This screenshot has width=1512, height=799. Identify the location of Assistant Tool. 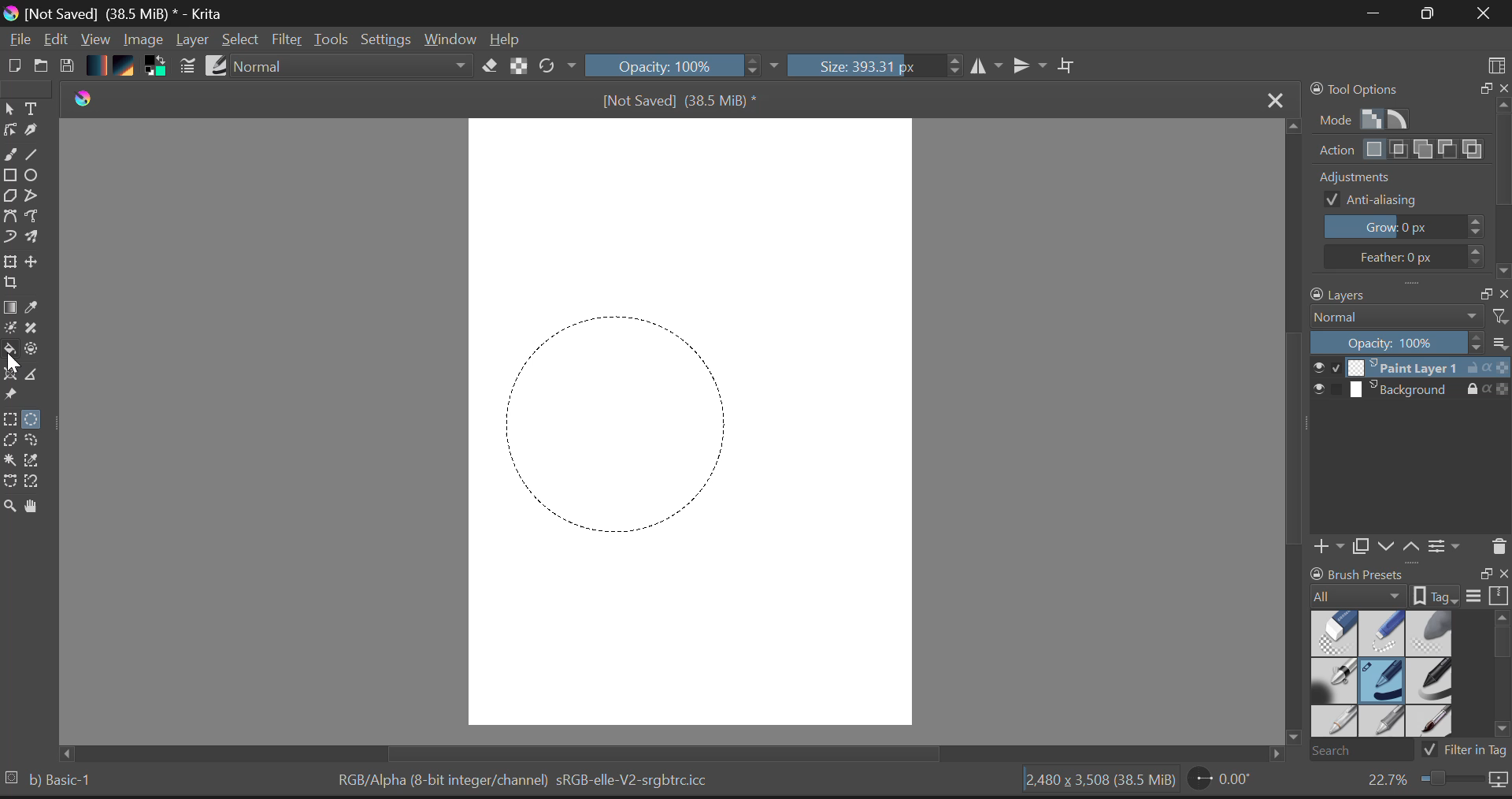
(13, 372).